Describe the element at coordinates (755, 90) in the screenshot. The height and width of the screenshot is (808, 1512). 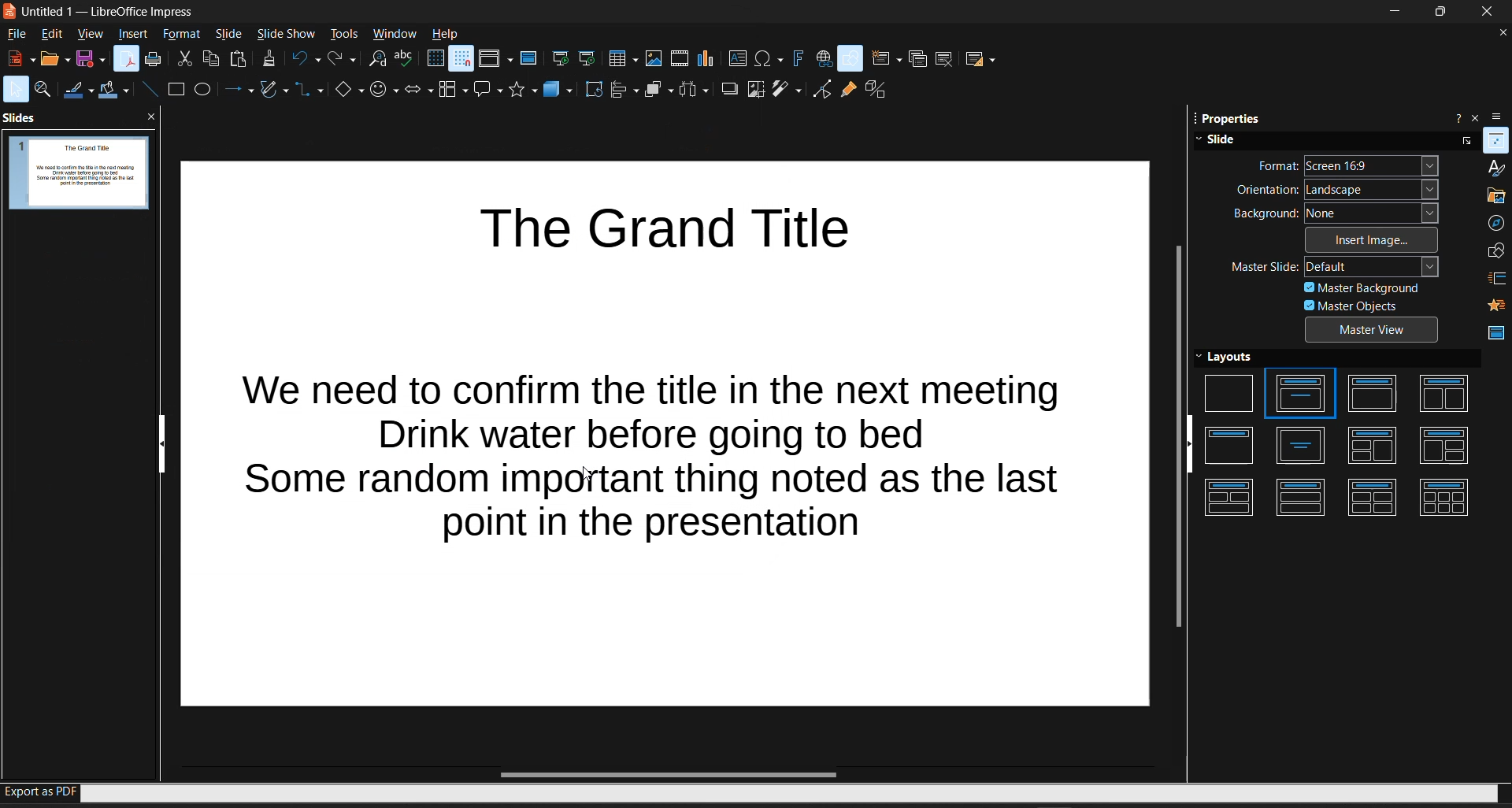
I see `crop image` at that location.